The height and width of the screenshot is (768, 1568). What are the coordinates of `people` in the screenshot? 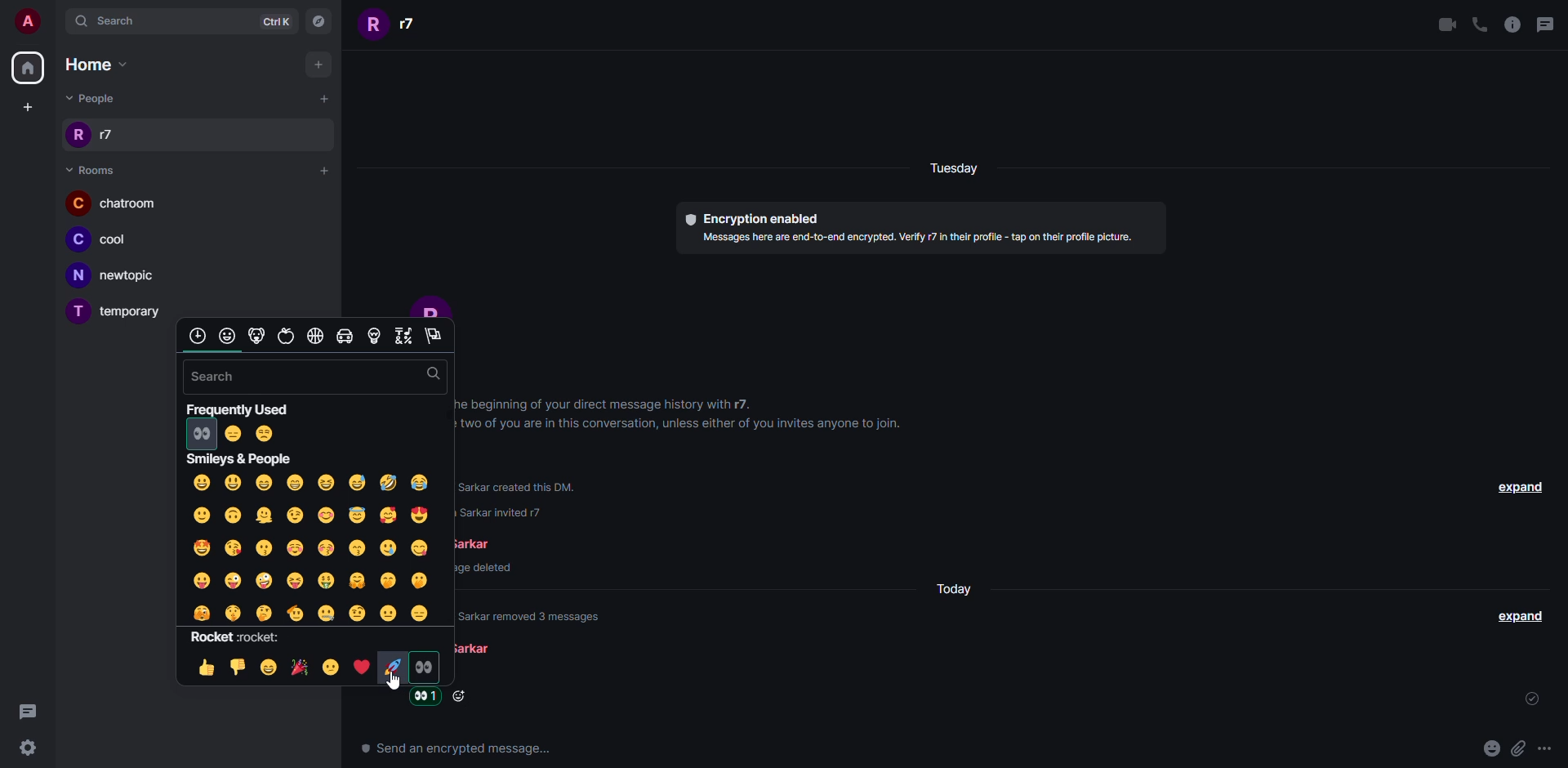 It's located at (483, 650).